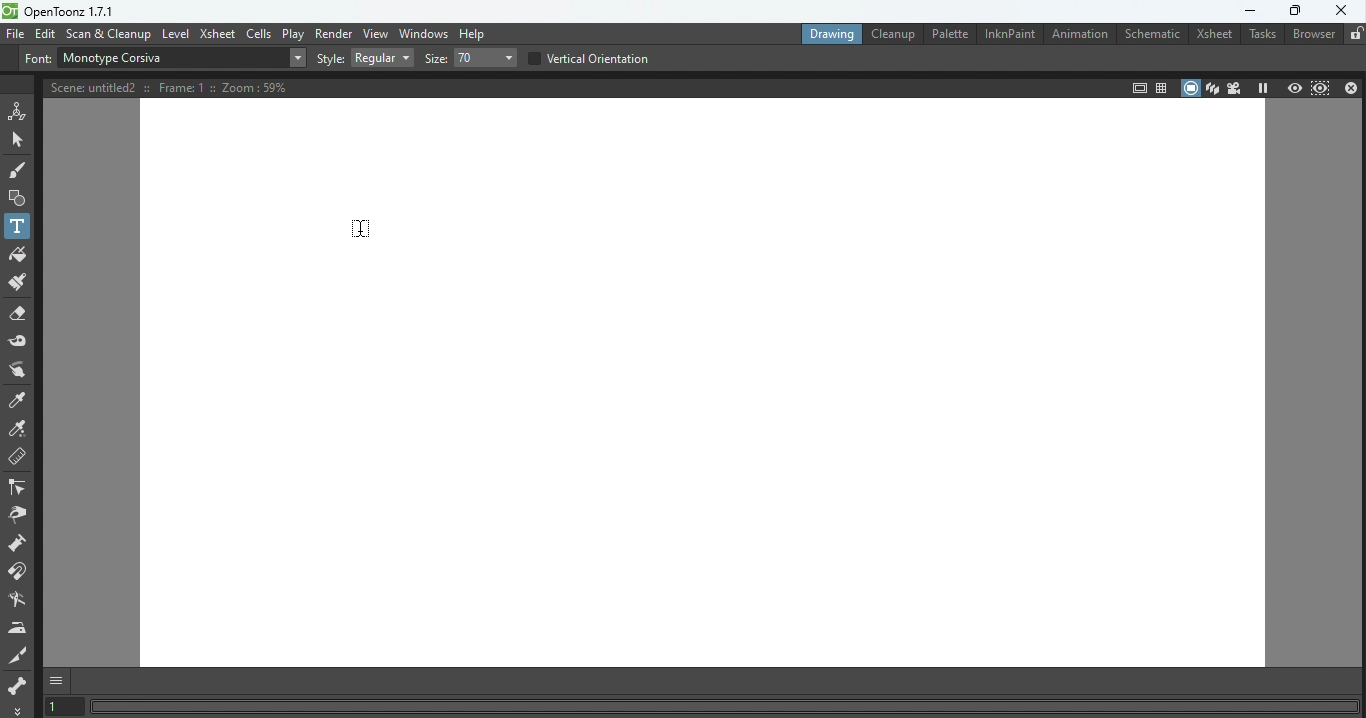 The width and height of the screenshot is (1366, 718). I want to click on Windows, so click(426, 33).